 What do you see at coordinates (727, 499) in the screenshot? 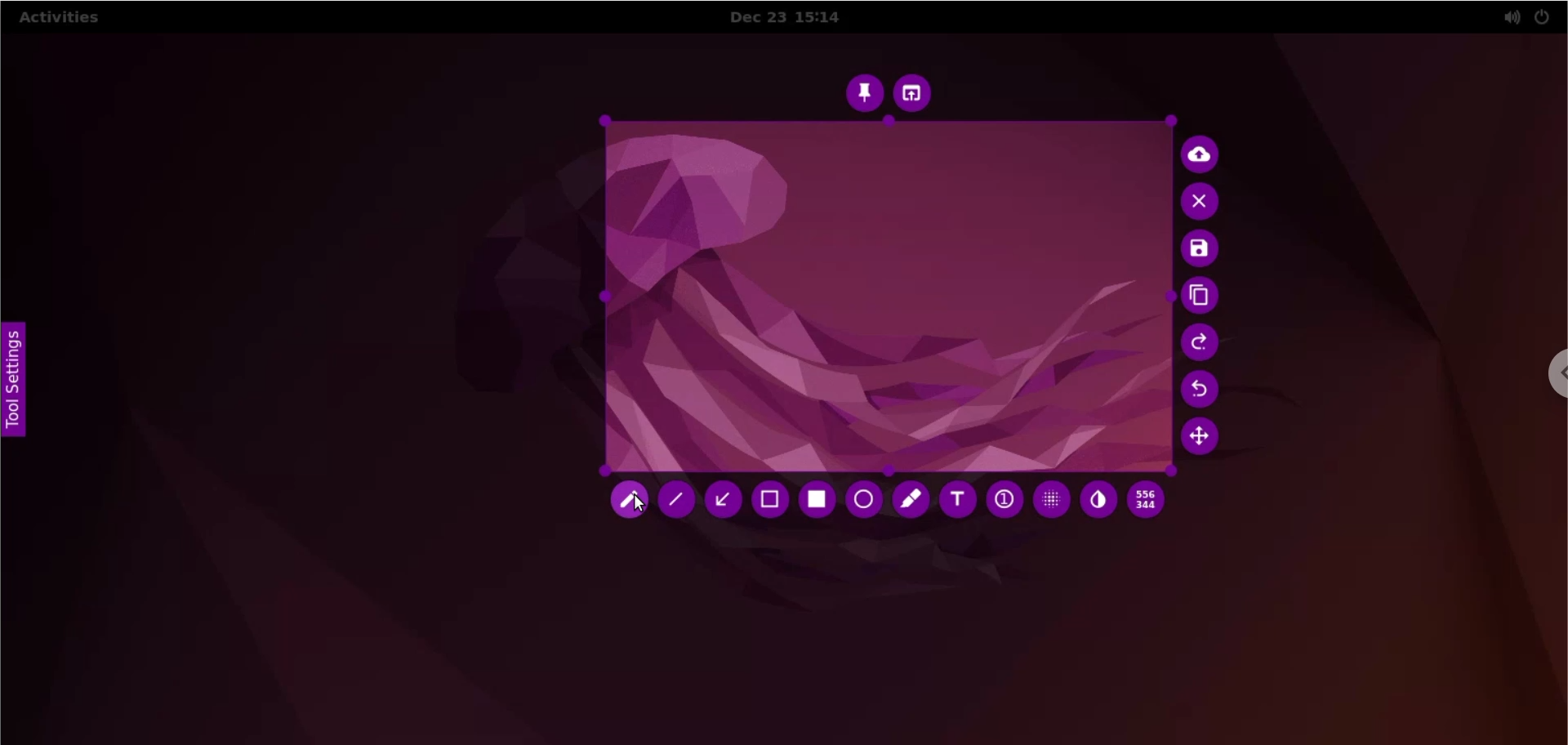
I see `arrow` at bounding box center [727, 499].